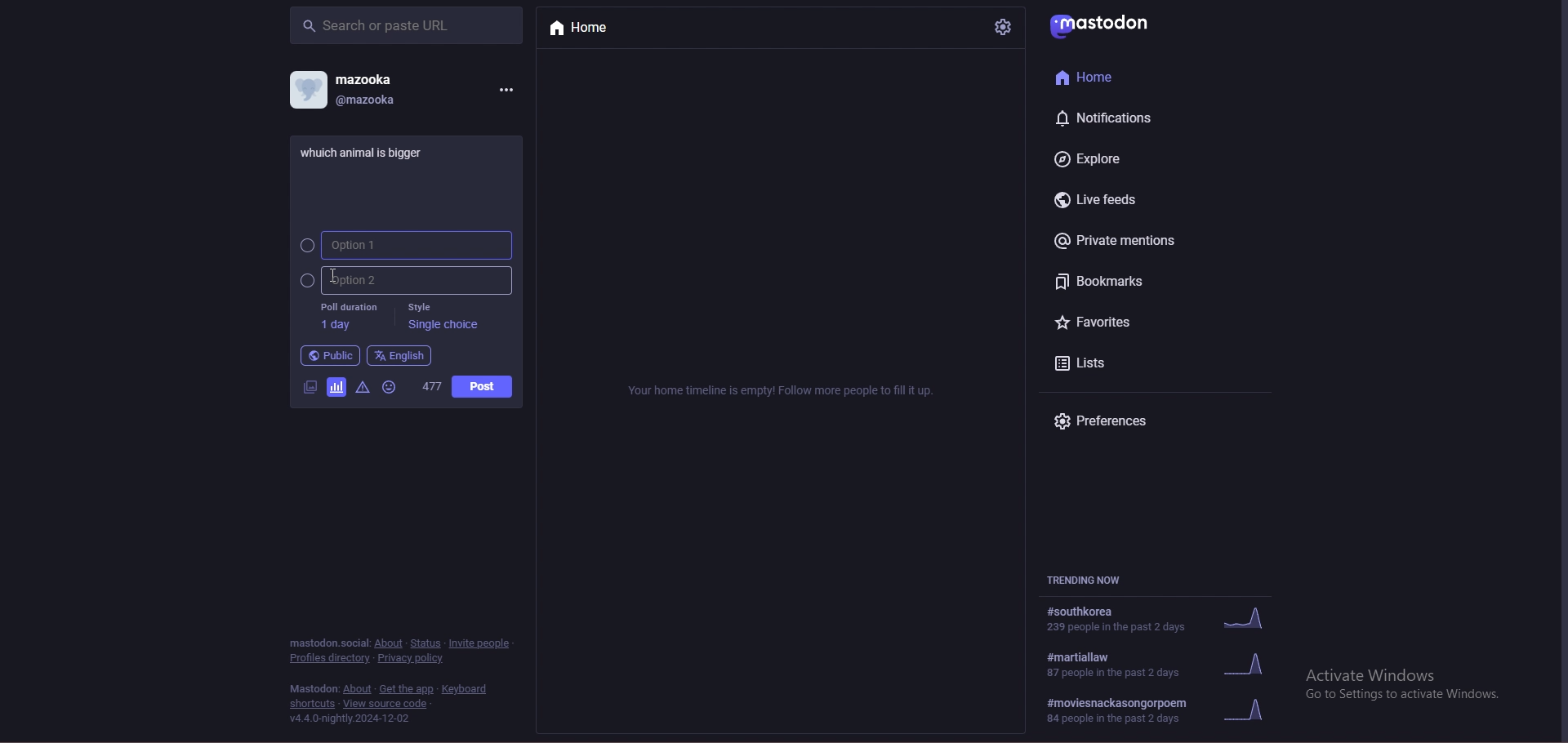 The image size is (1568, 743). I want to click on View source code, so click(390, 704).